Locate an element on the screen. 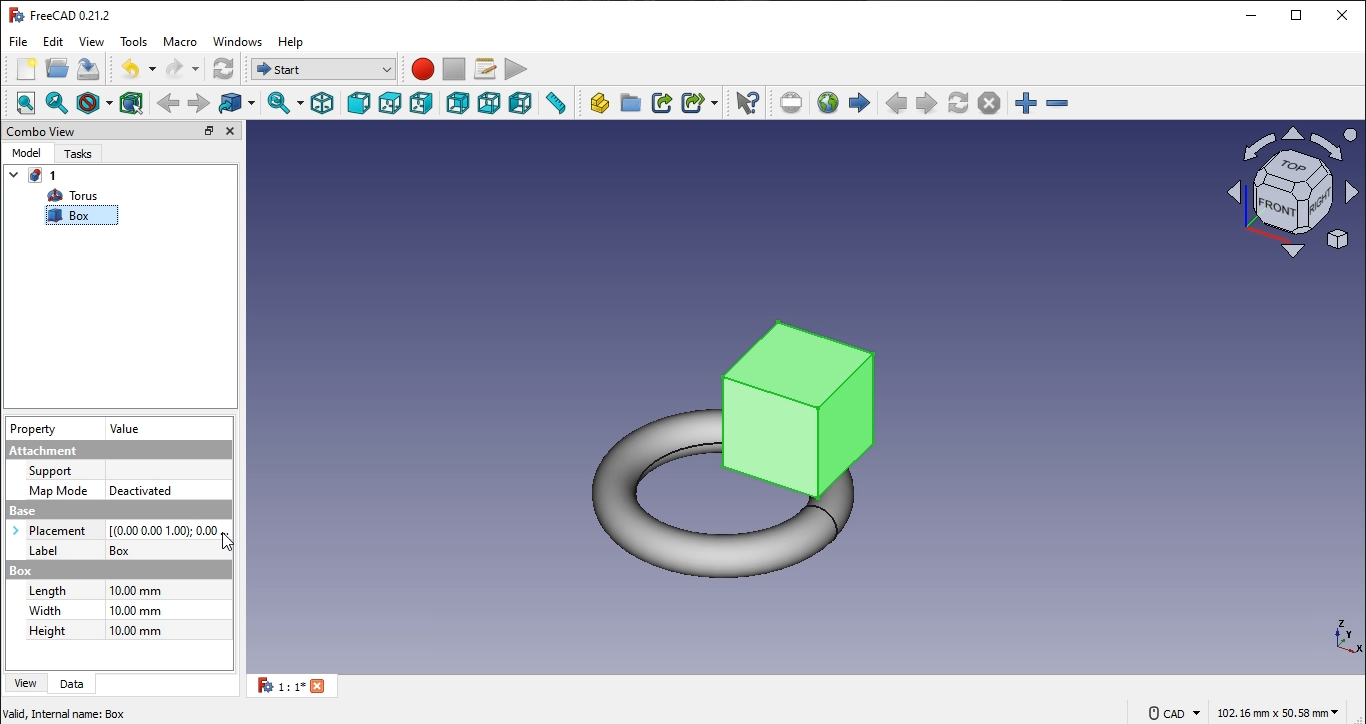 This screenshot has width=1366, height=724. previouspage is located at coordinates (896, 103).